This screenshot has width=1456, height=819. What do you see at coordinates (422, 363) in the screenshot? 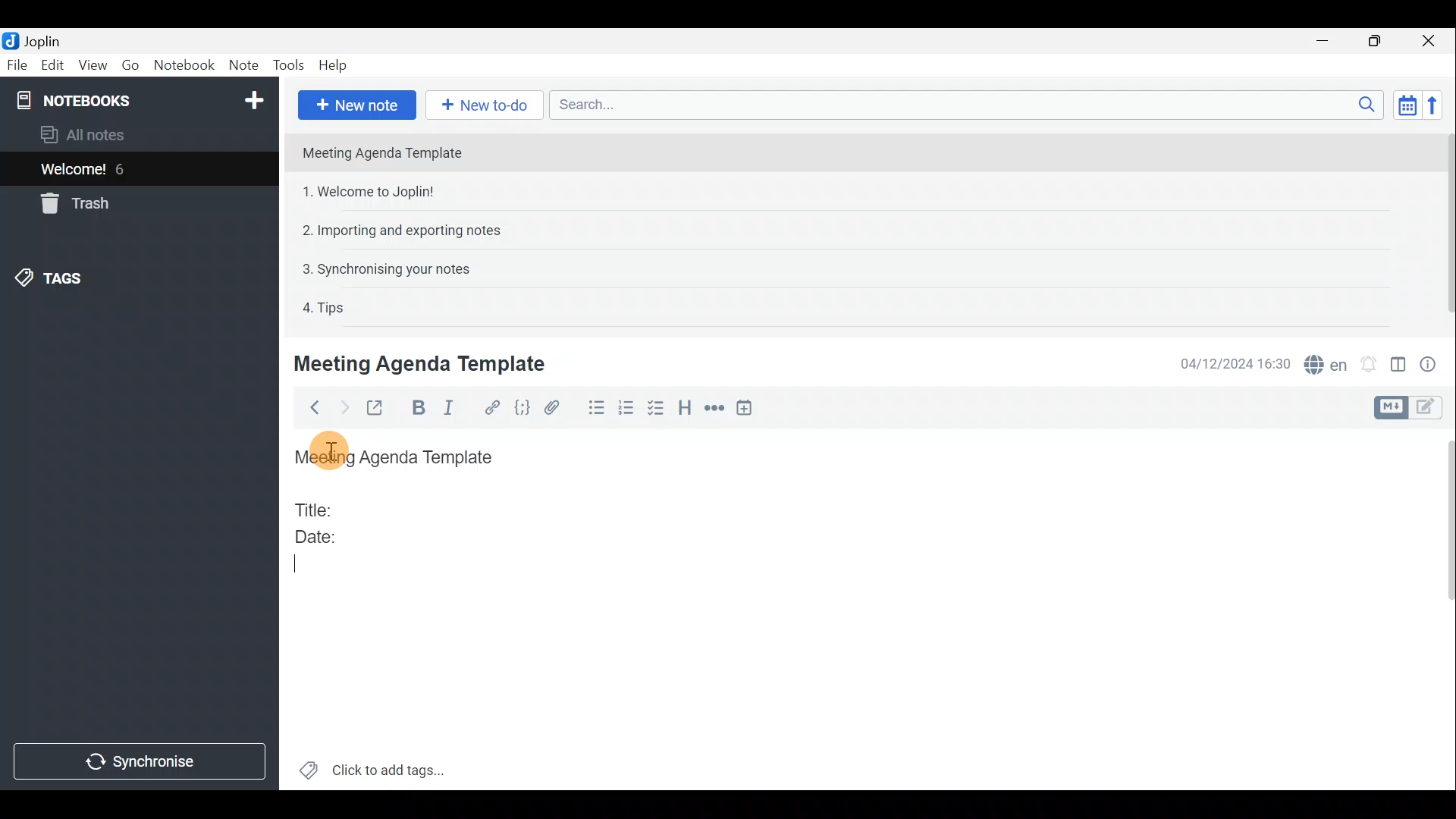
I see `Meeting Agenda Template` at bounding box center [422, 363].